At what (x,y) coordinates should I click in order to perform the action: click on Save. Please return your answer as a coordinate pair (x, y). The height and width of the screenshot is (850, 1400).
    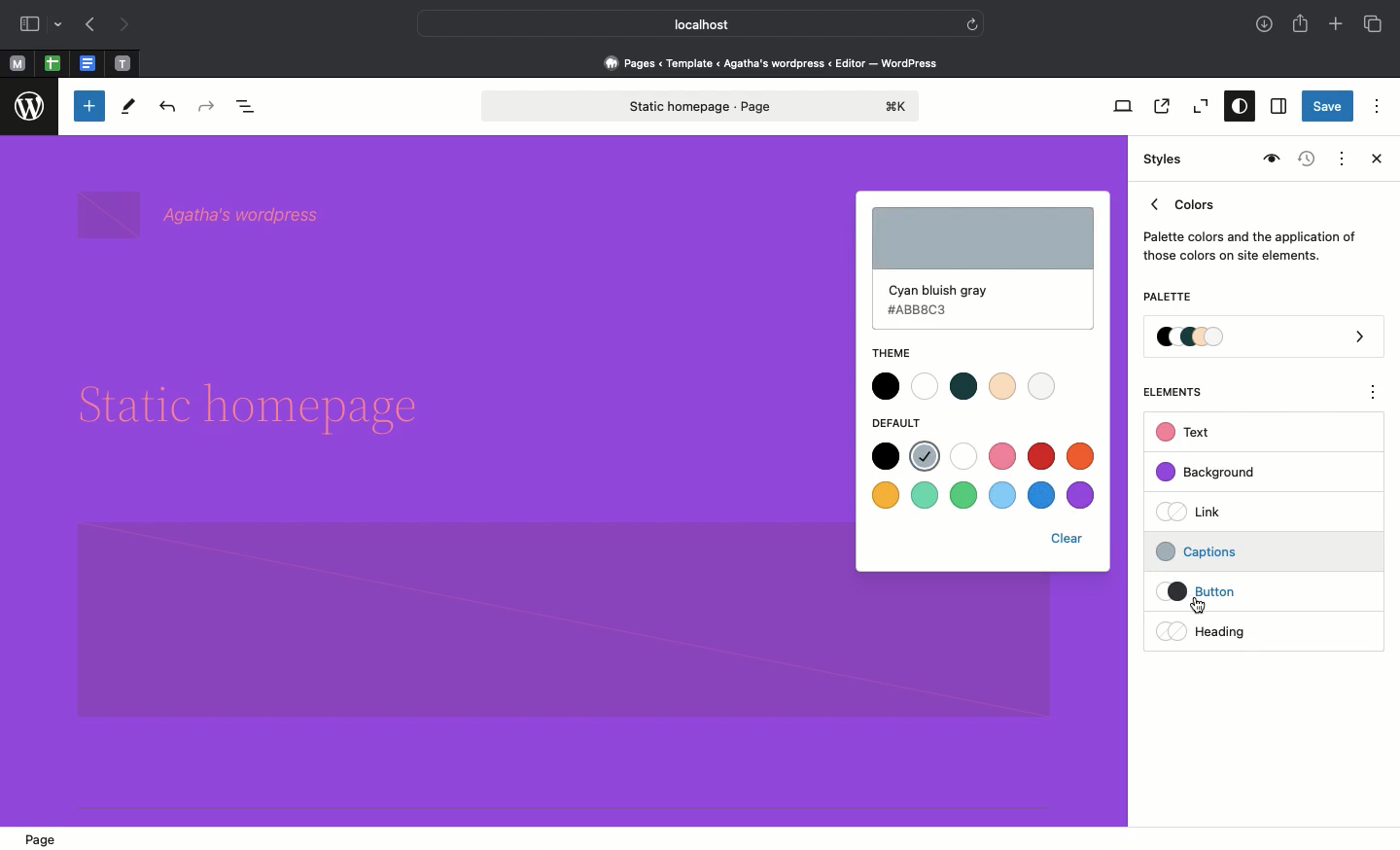
    Looking at the image, I should click on (1328, 108).